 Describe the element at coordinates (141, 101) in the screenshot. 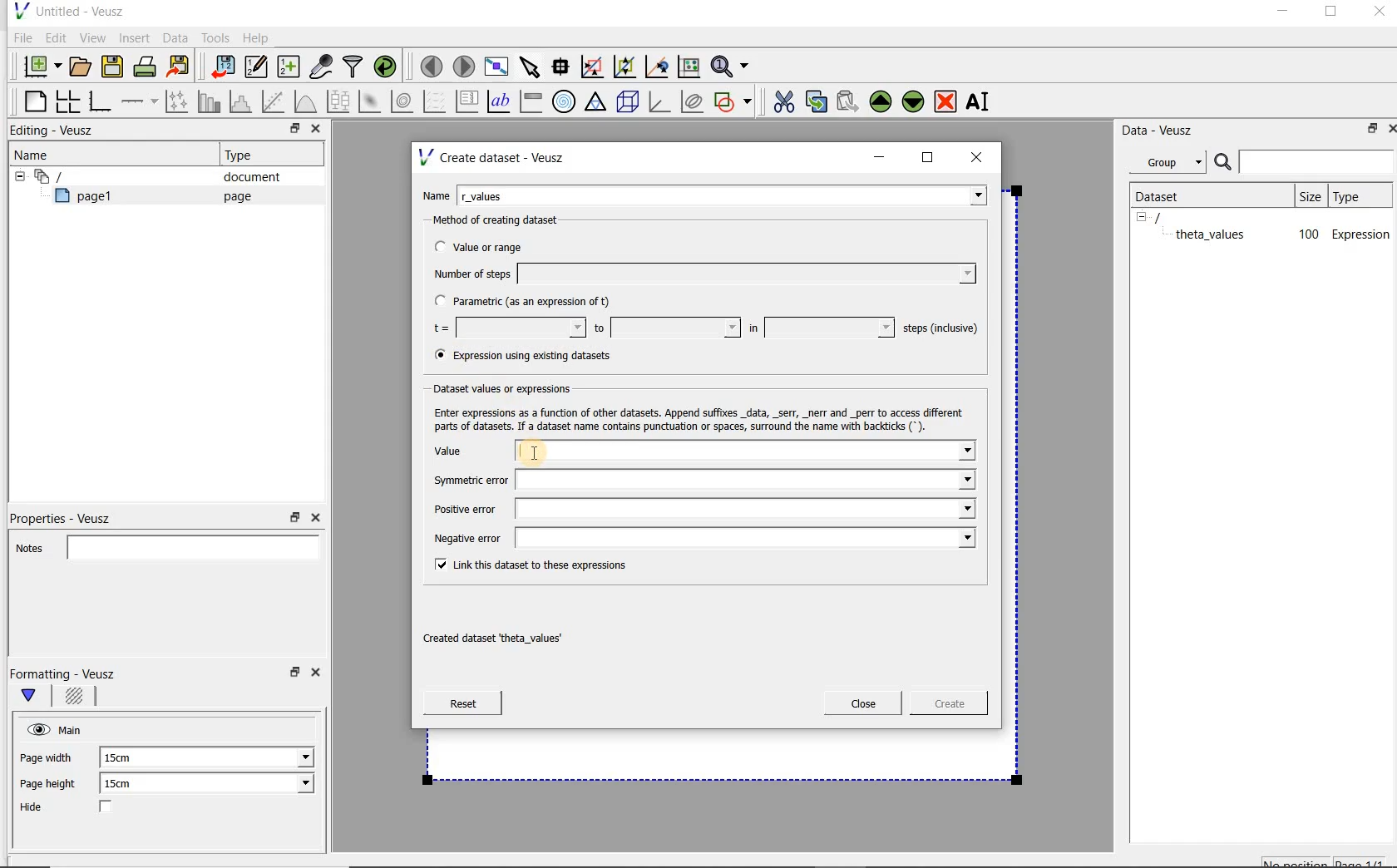

I see `add an axis to a plot` at that location.